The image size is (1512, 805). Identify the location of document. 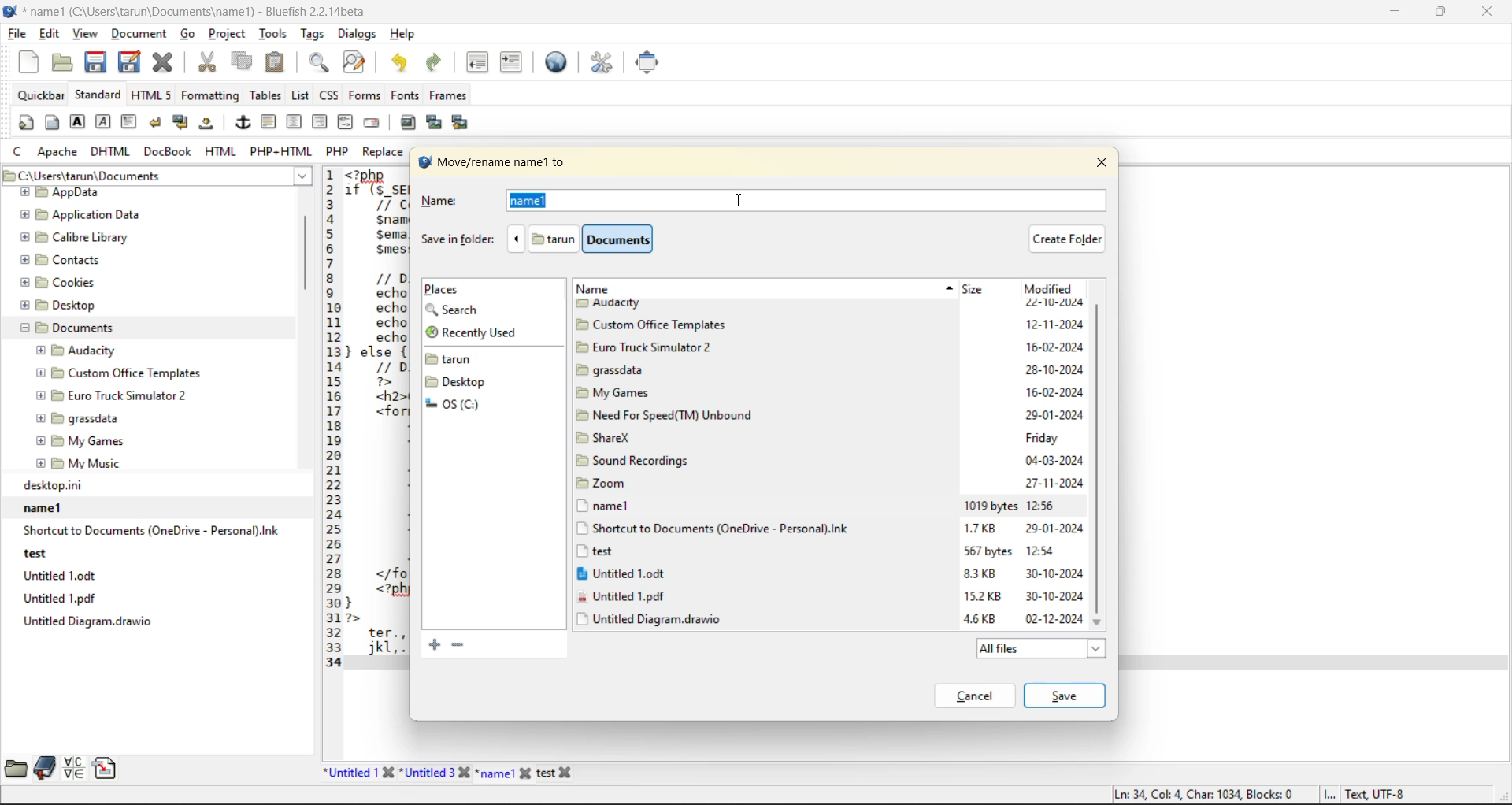
(140, 35).